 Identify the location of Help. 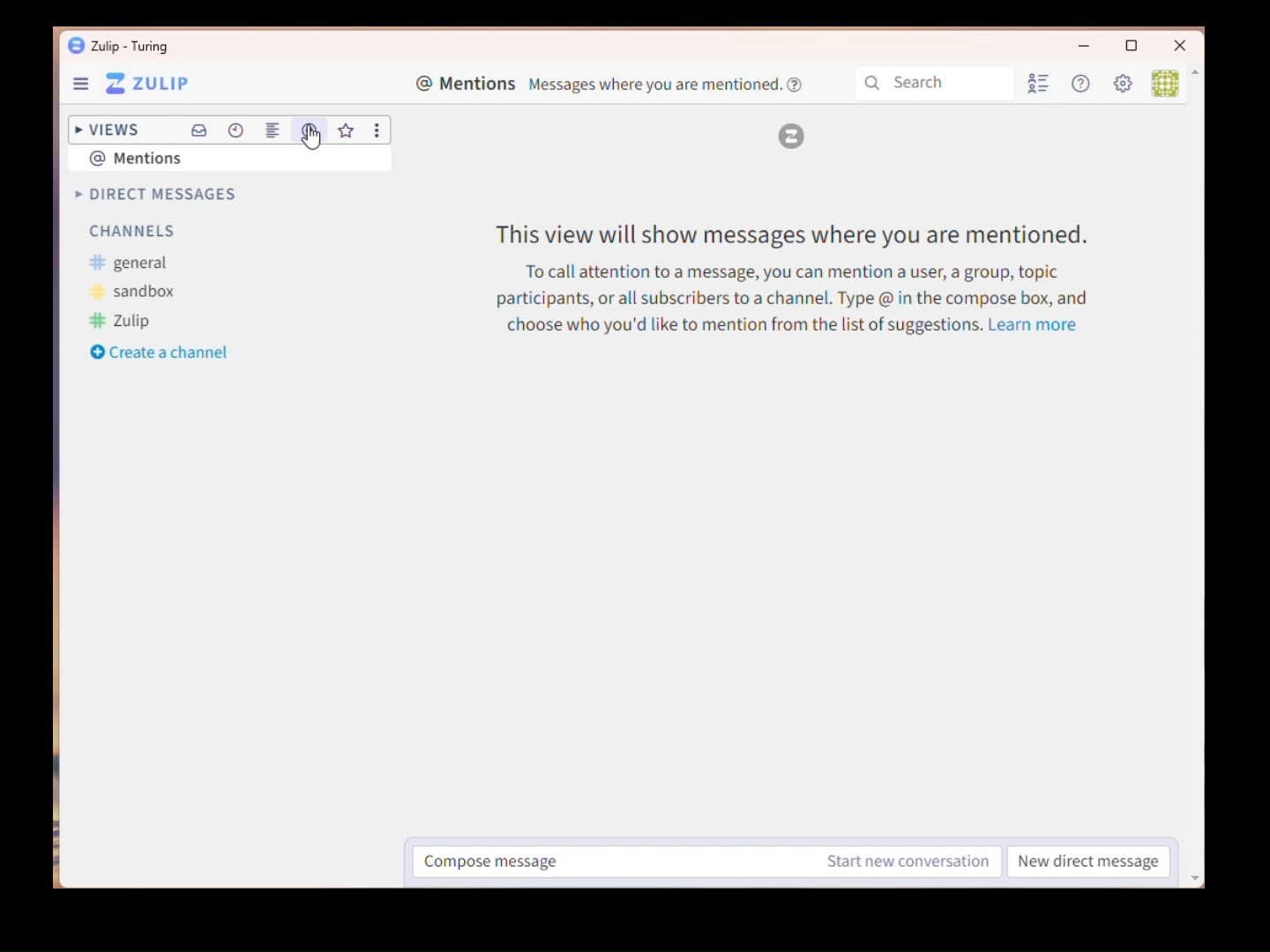
(1084, 85).